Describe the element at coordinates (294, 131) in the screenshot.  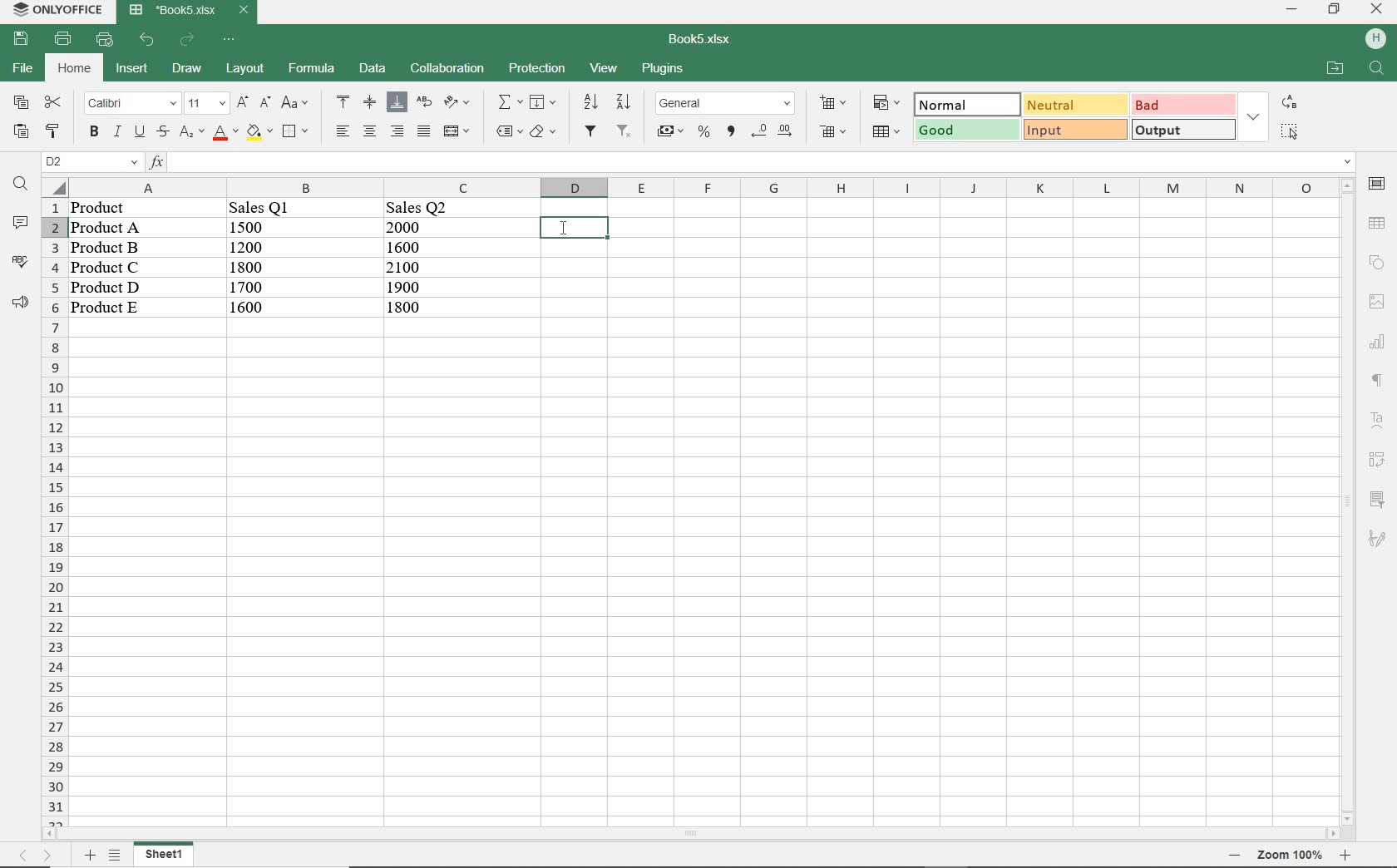
I see `borders` at that location.